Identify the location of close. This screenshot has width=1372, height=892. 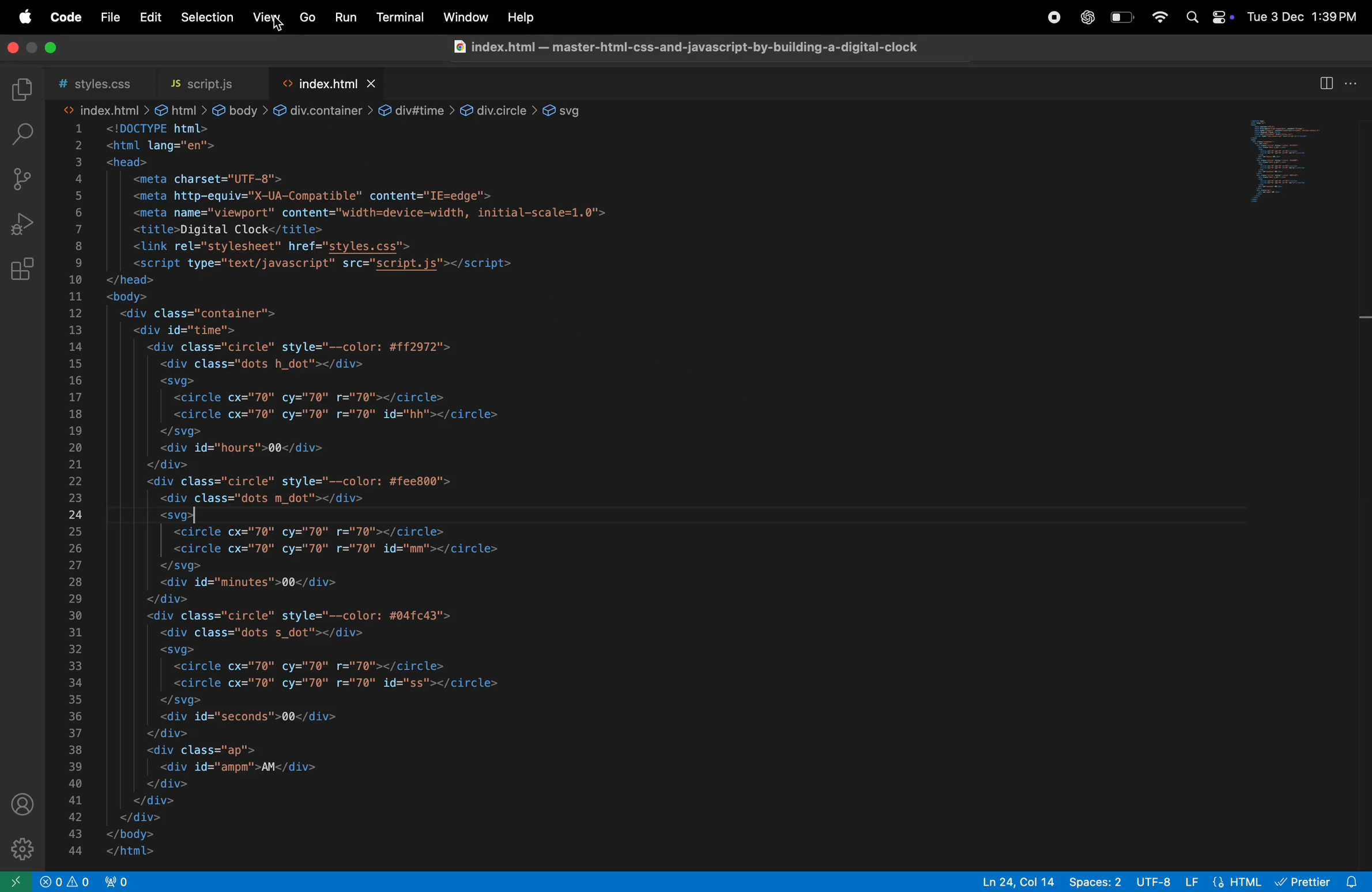
(10, 46).